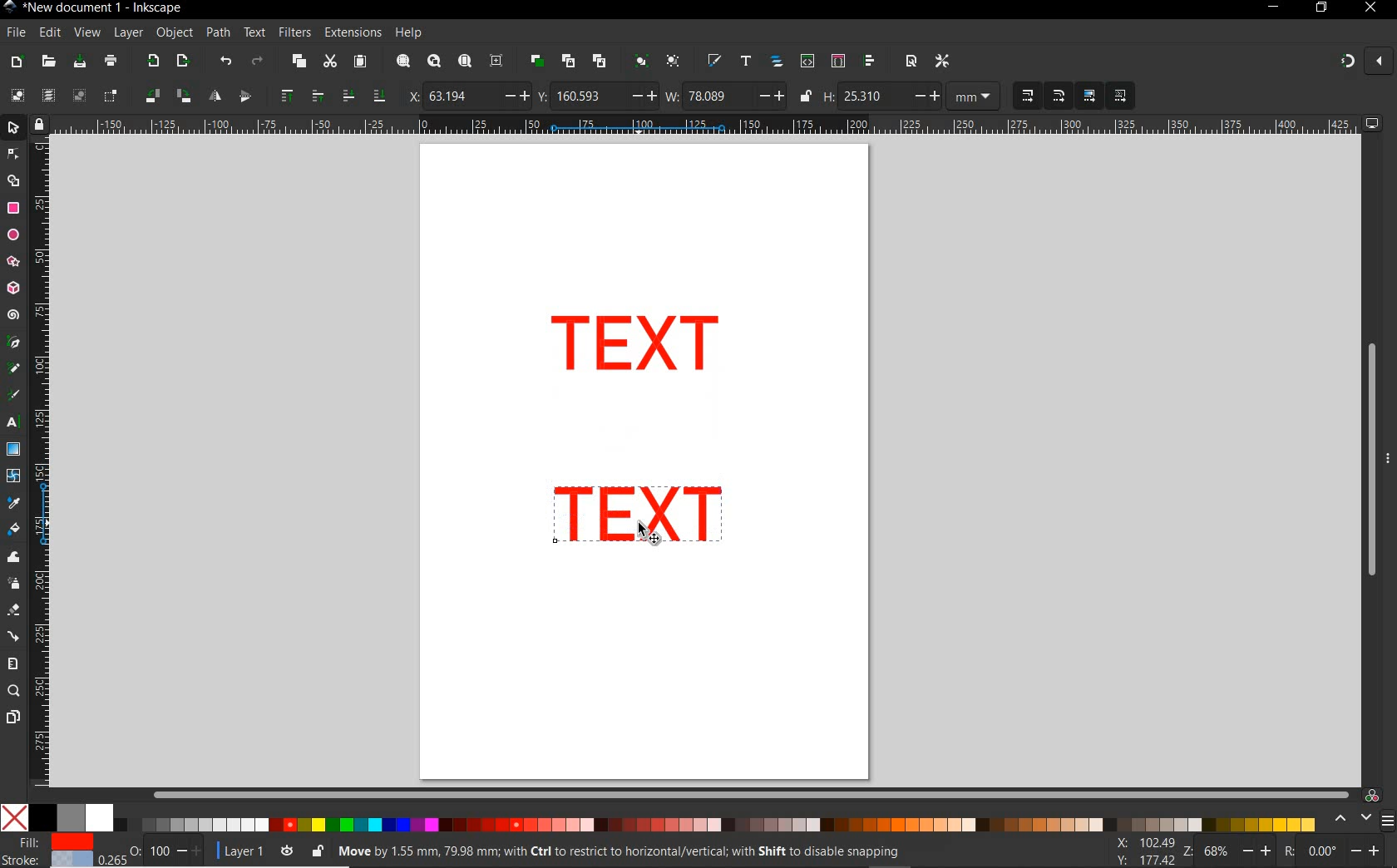 The width and height of the screenshot is (1397, 868). What do you see at coordinates (109, 62) in the screenshot?
I see `print` at bounding box center [109, 62].